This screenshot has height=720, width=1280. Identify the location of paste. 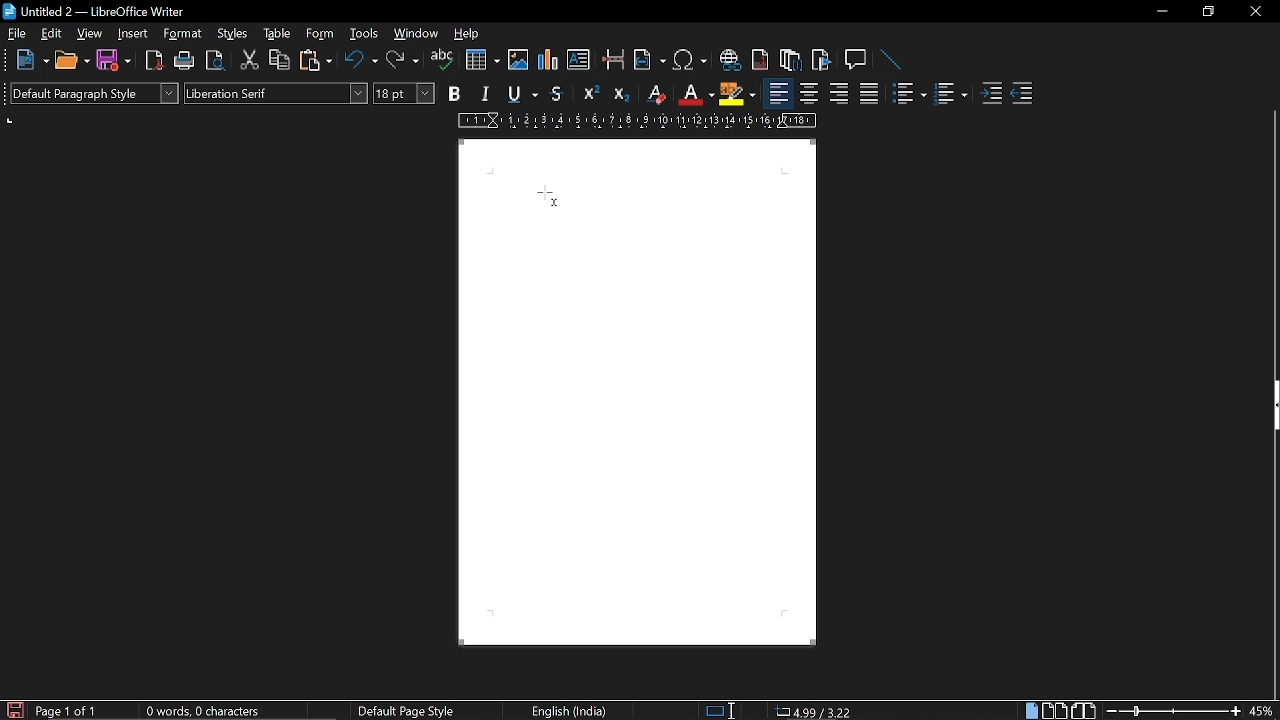
(318, 63).